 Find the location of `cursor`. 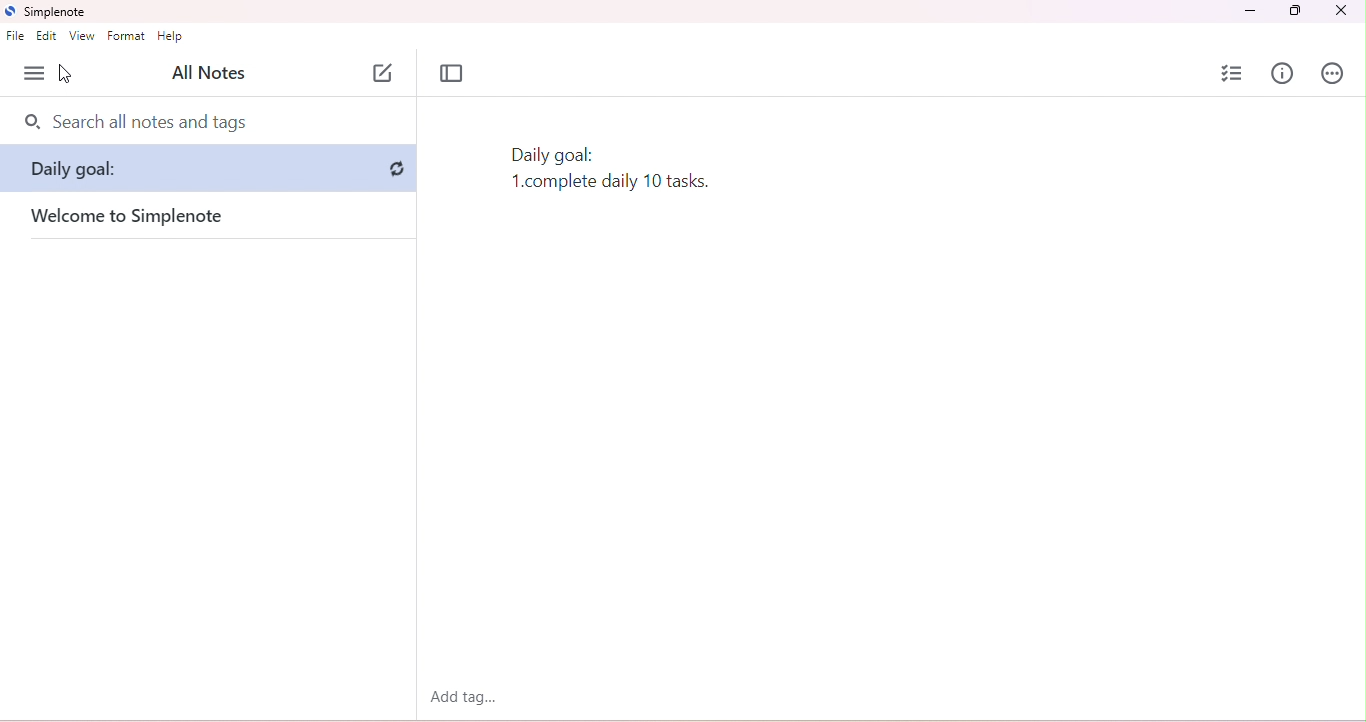

cursor is located at coordinates (67, 74).